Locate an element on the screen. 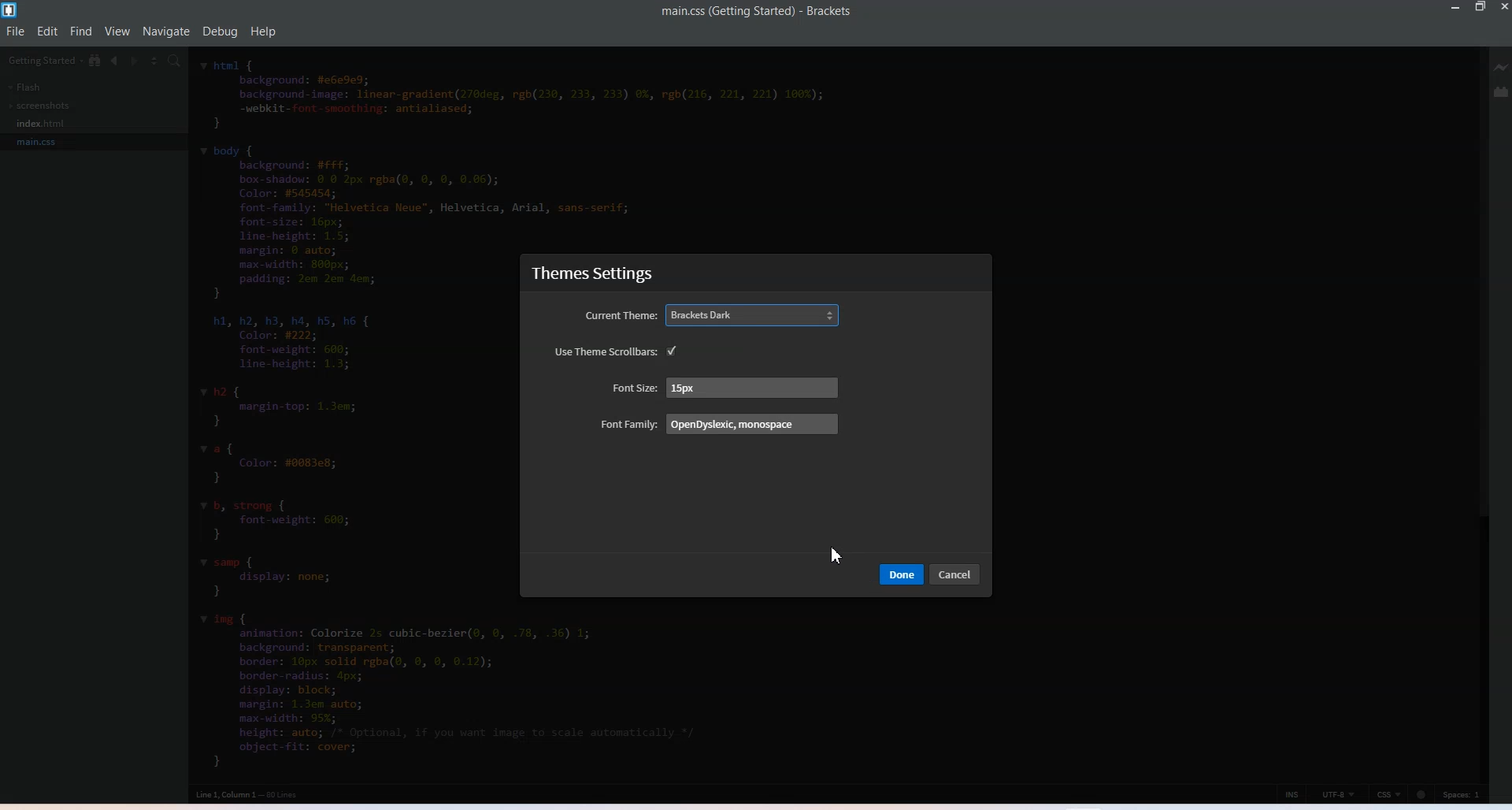  Use Theme Scrollbar is located at coordinates (606, 351).